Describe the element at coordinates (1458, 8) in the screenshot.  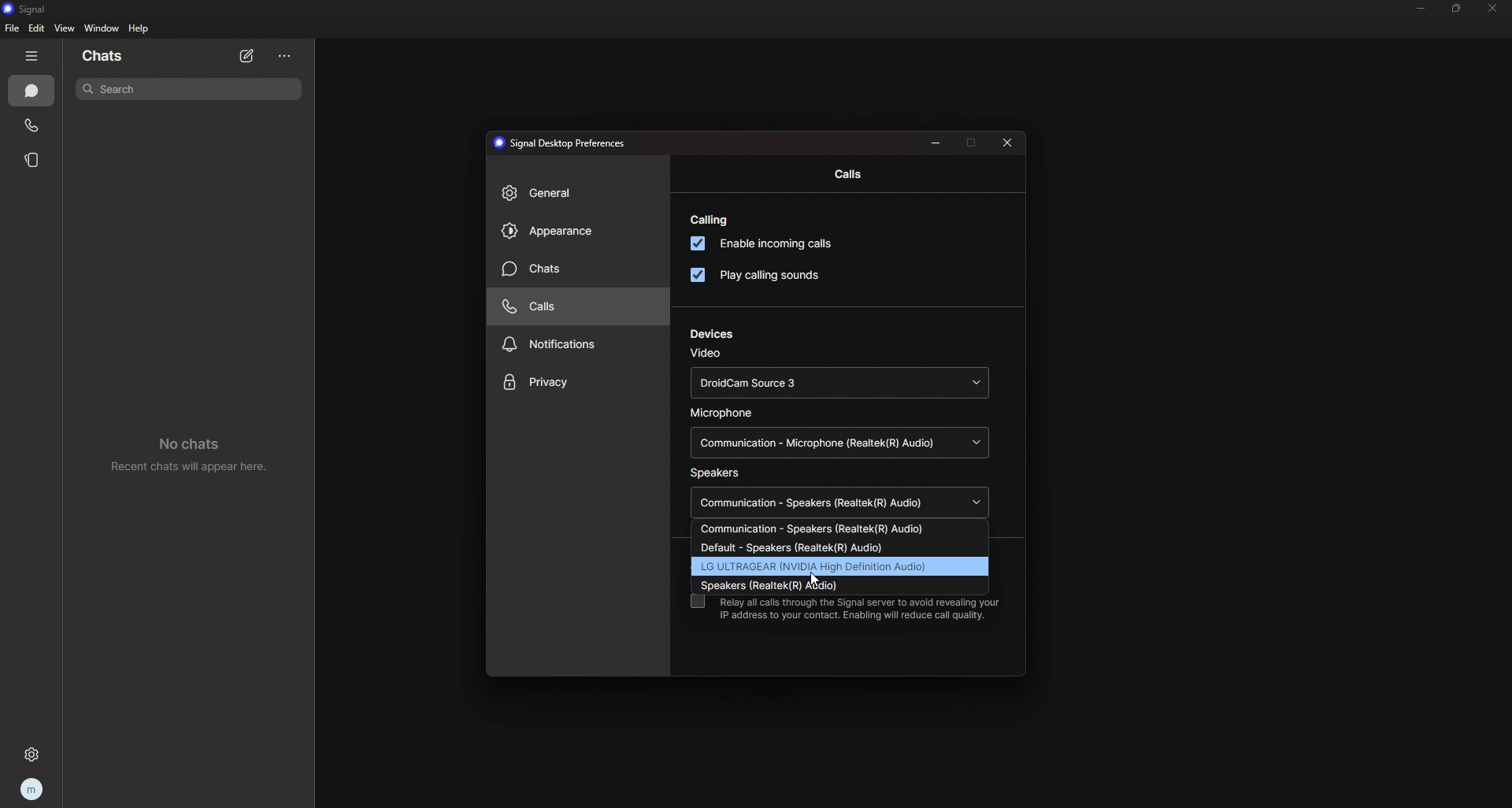
I see `resize` at that location.